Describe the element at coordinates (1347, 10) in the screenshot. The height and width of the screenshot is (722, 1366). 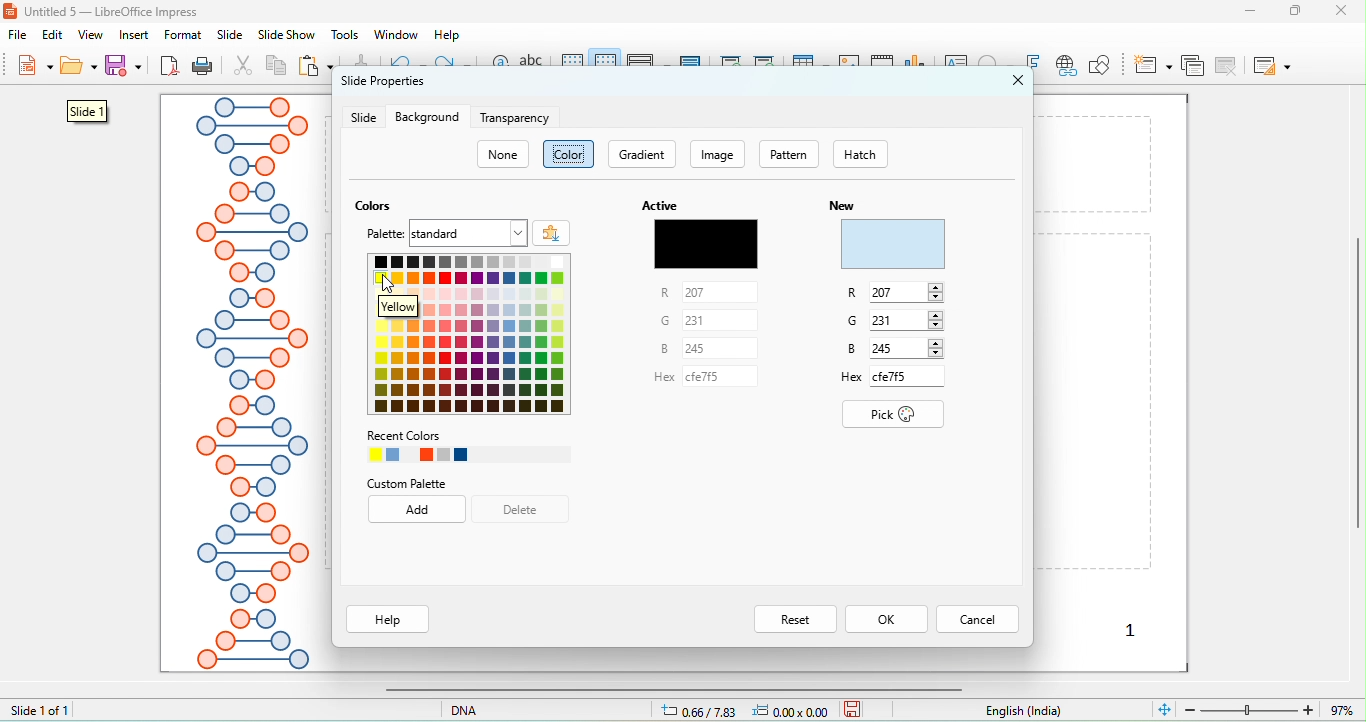
I see `close` at that location.